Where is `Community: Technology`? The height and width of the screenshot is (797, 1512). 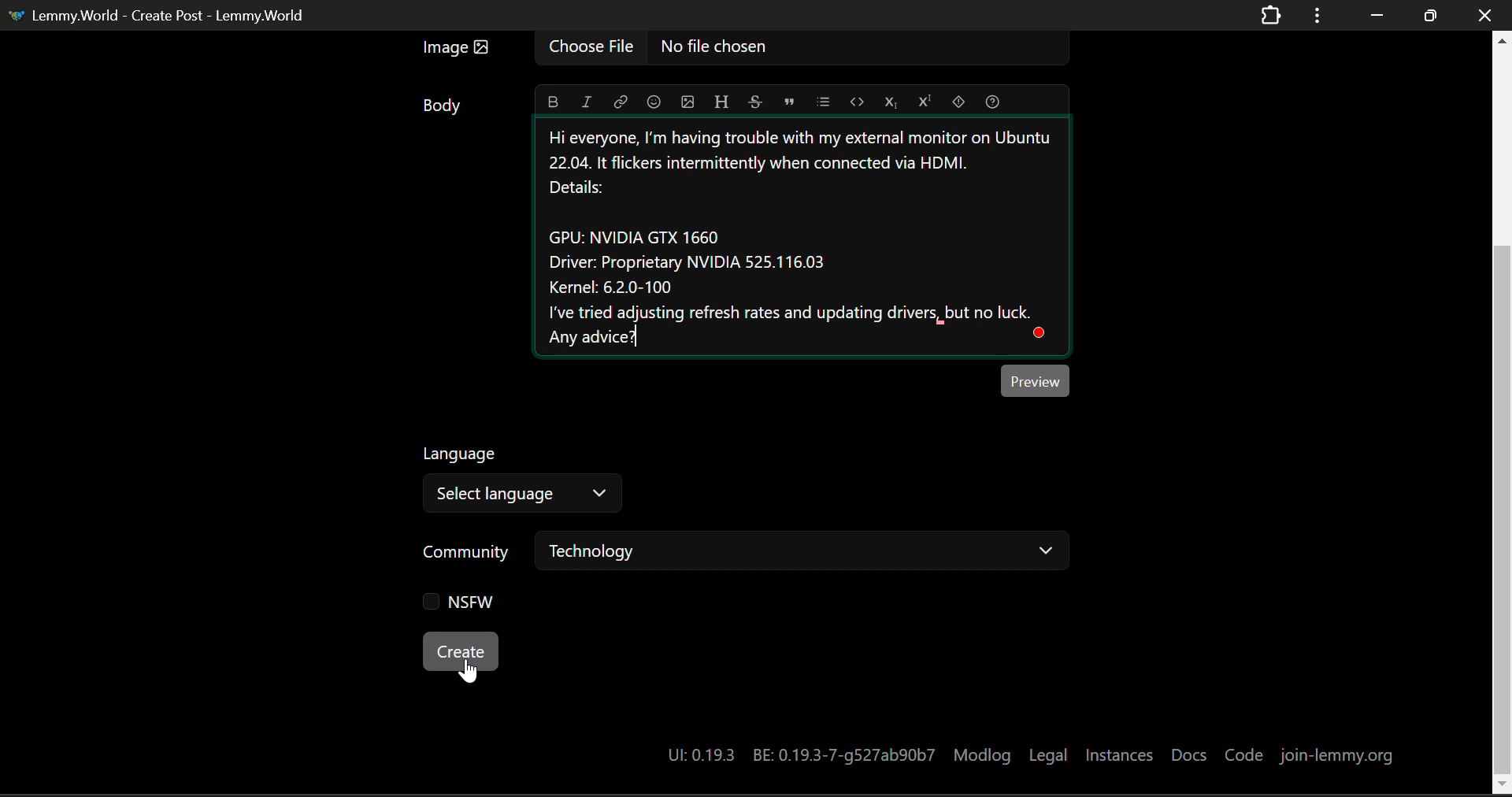
Community: Technology is located at coordinates (748, 554).